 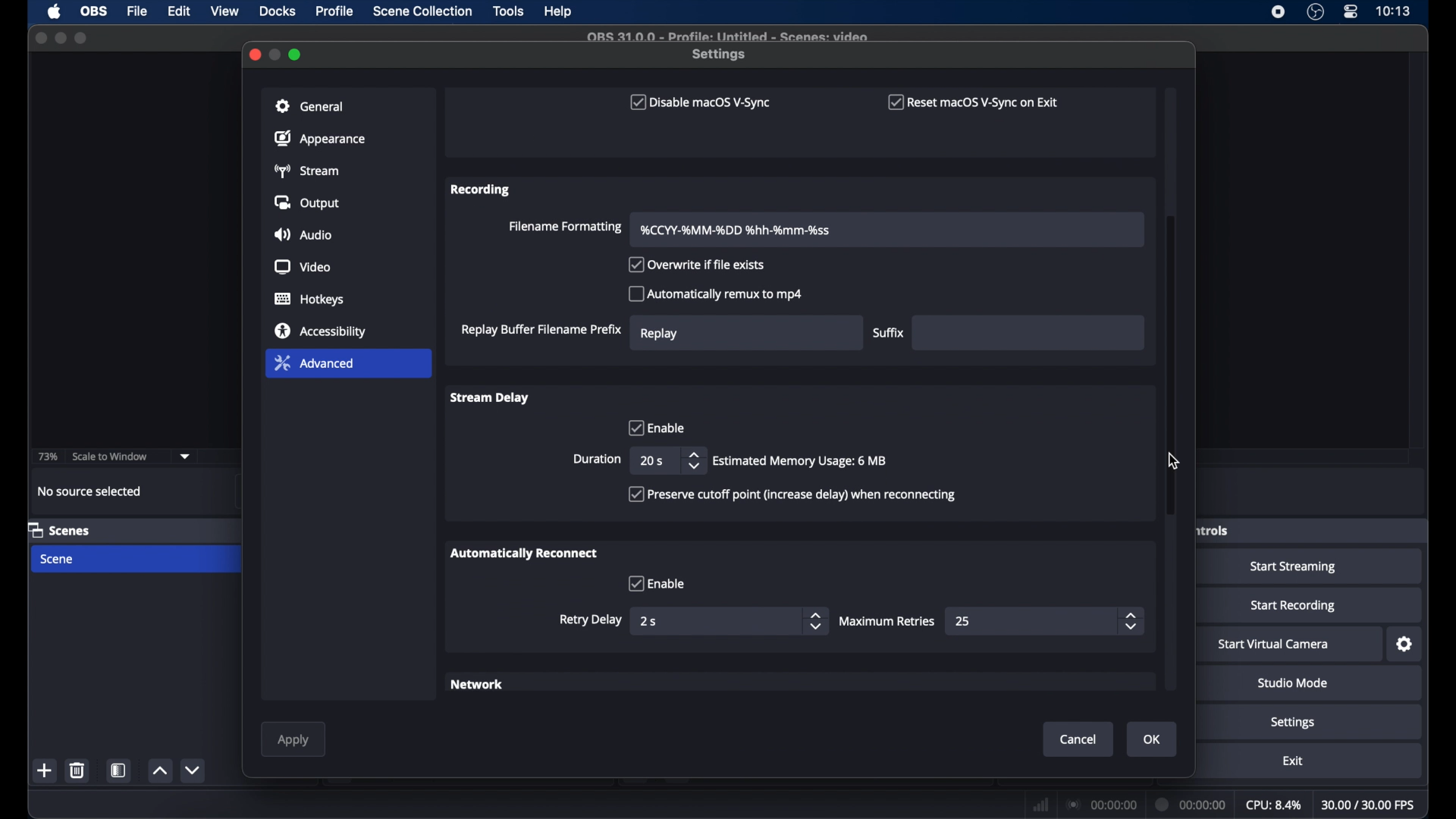 I want to click on start recording, so click(x=1294, y=606).